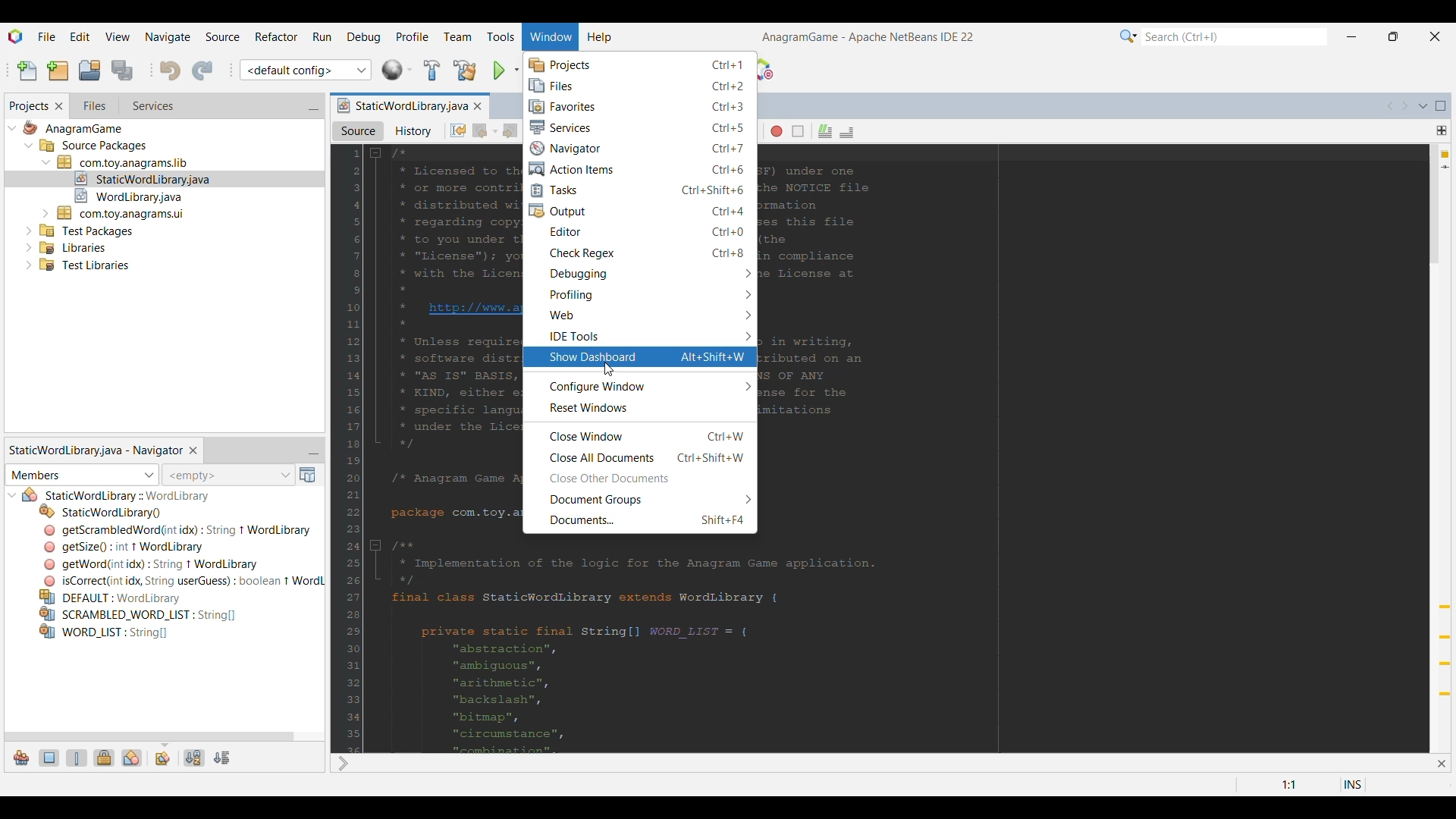 Image resolution: width=1456 pixels, height=819 pixels. I want to click on Projects, so click(639, 66).